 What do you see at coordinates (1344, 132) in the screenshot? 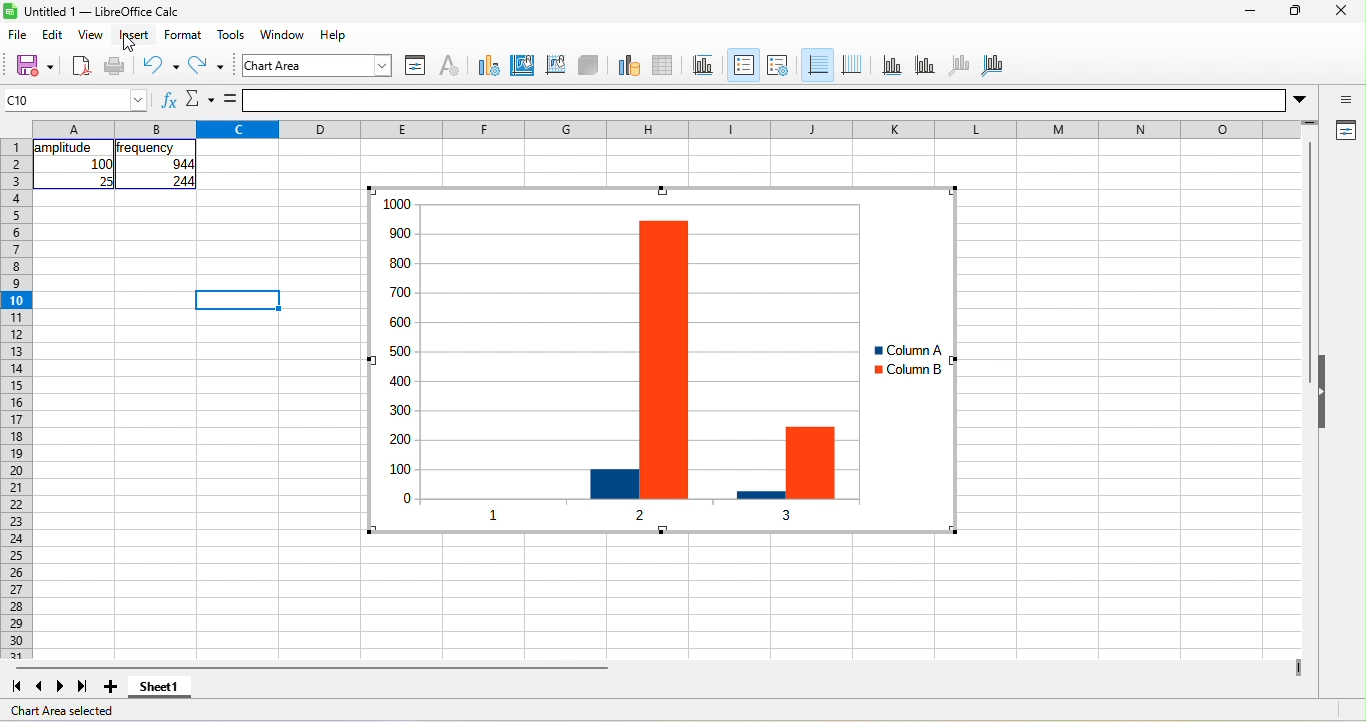
I see `properties` at bounding box center [1344, 132].